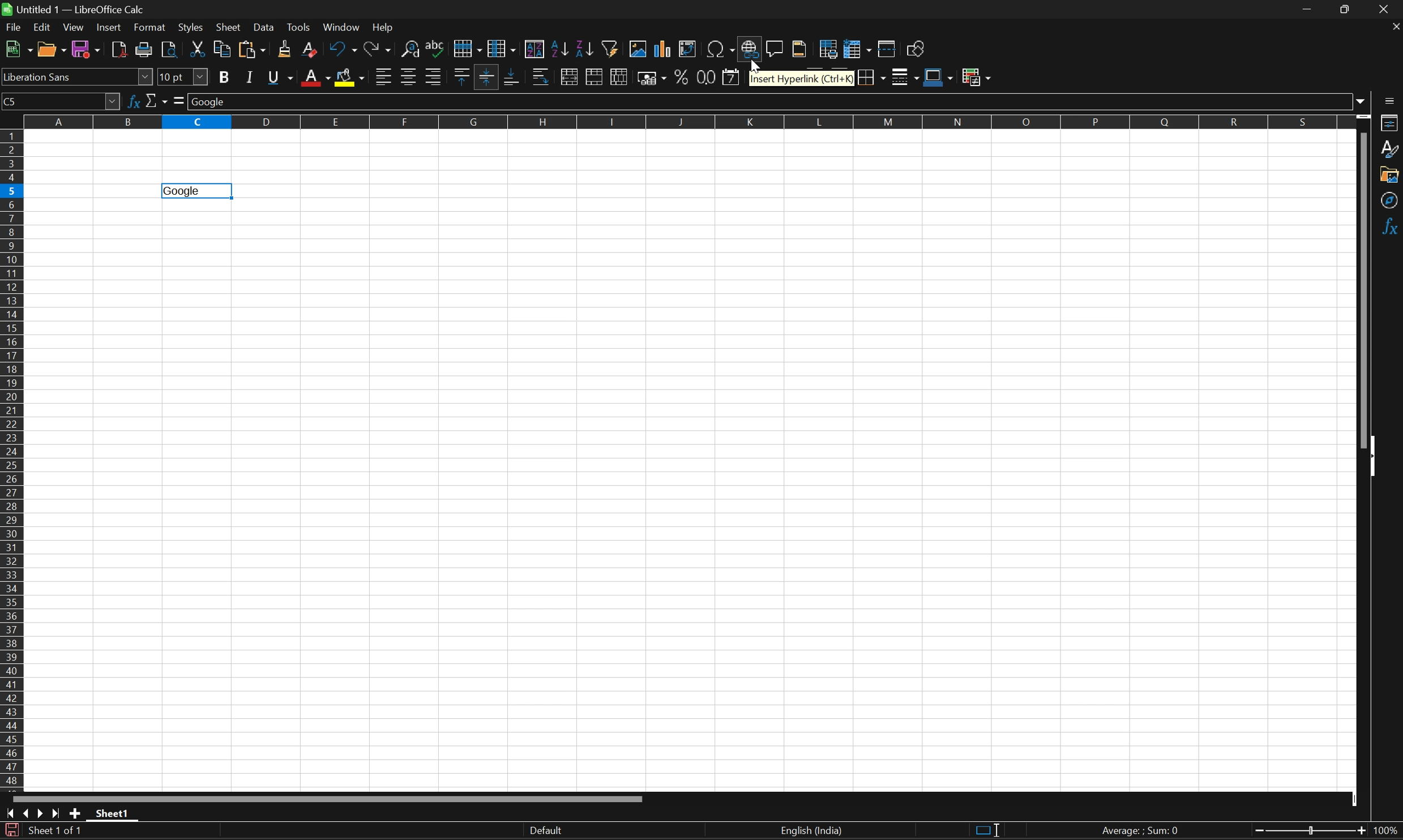 The height and width of the screenshot is (840, 1403). I want to click on Font size, so click(184, 75).